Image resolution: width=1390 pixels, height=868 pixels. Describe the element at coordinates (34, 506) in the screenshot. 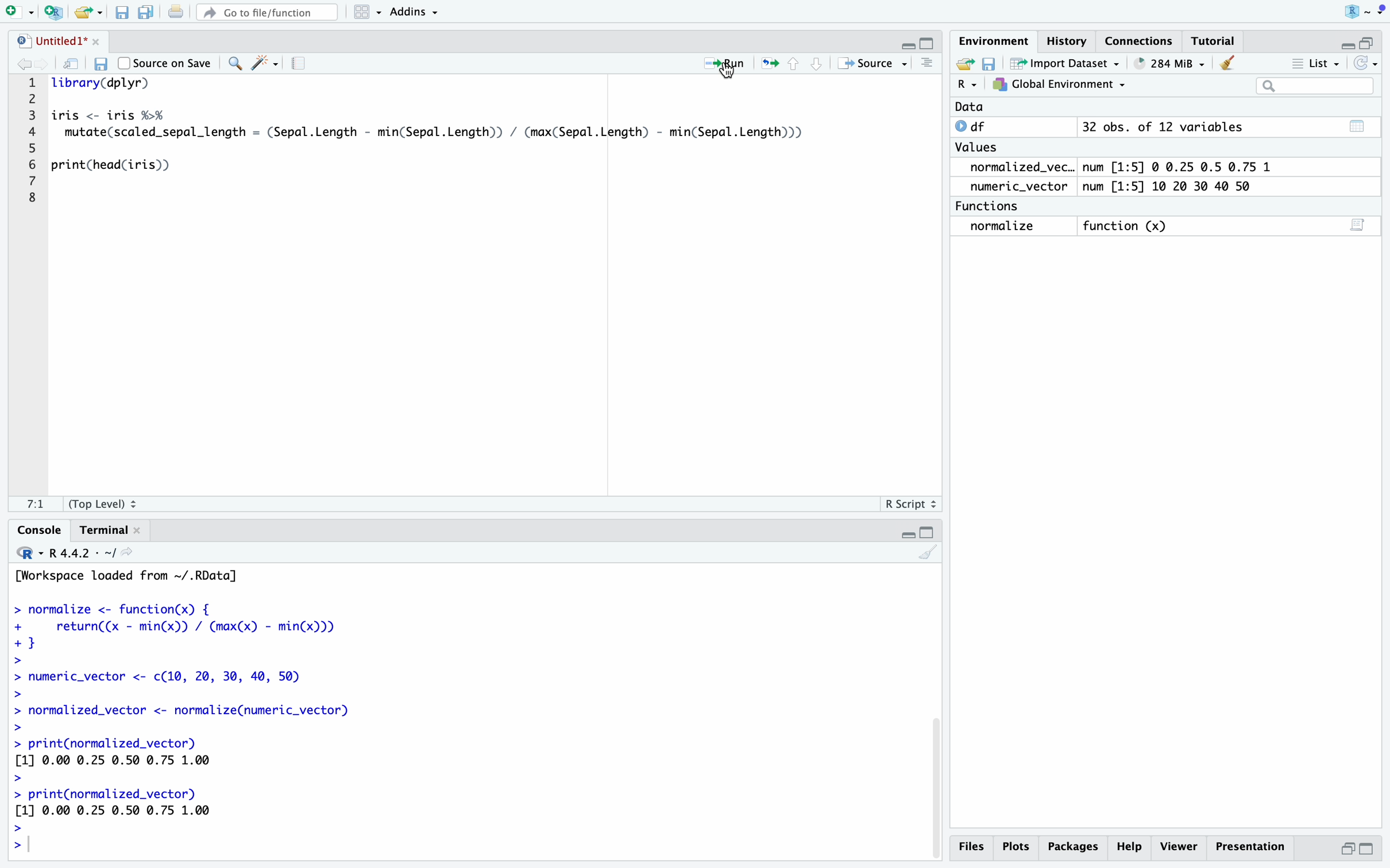

I see `1:1` at that location.